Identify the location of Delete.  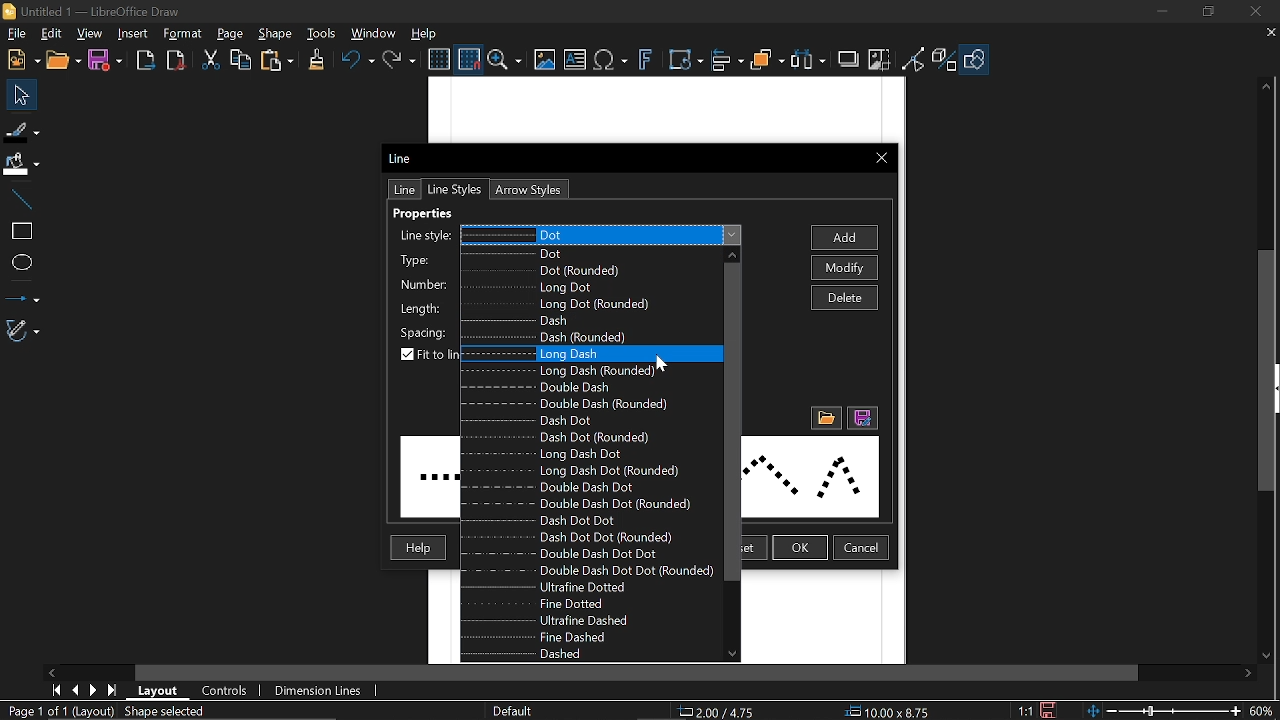
(844, 297).